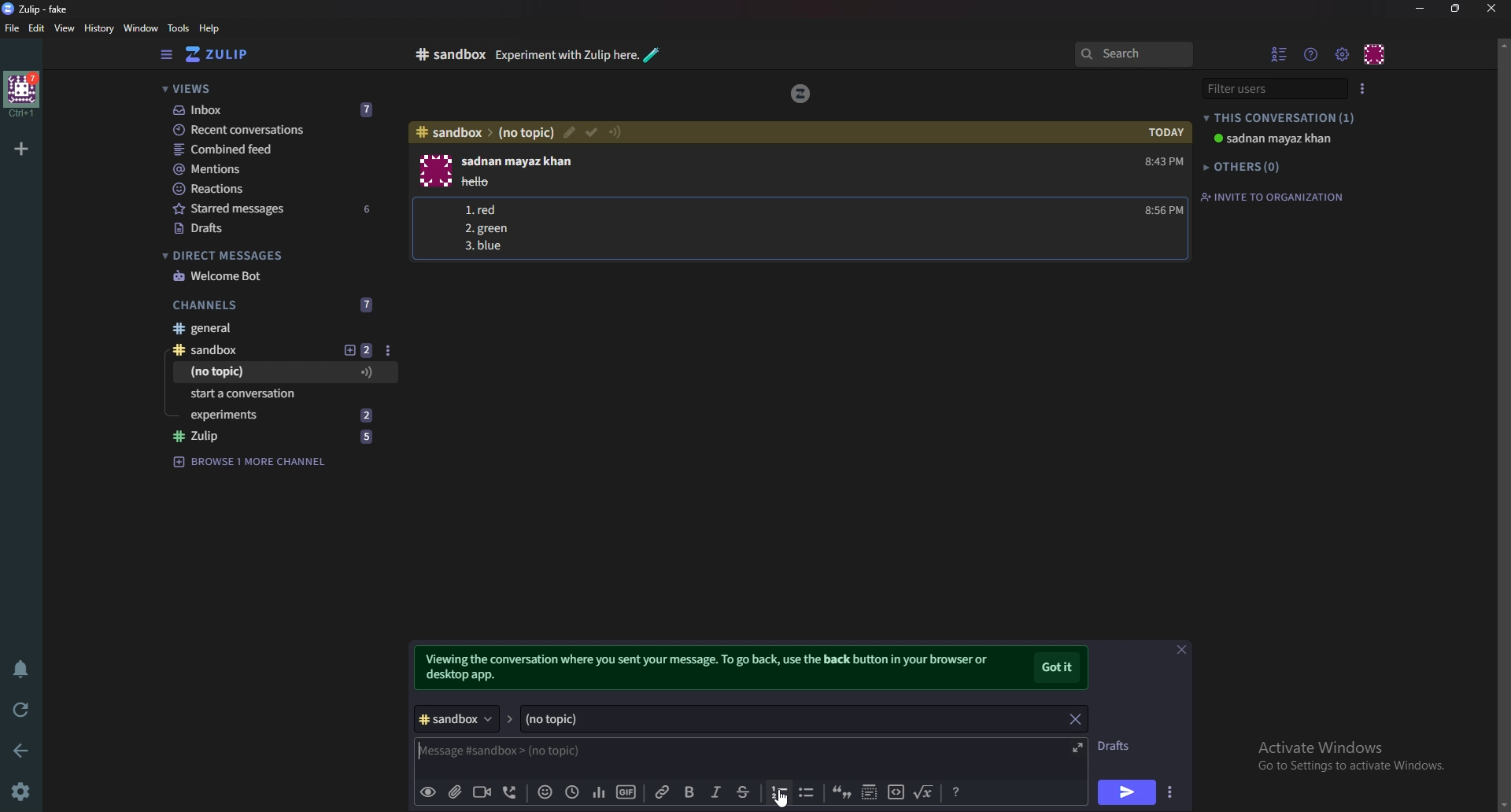 Image resolution: width=1511 pixels, height=812 pixels. What do you see at coordinates (710, 718) in the screenshot?
I see `topic` at bounding box center [710, 718].